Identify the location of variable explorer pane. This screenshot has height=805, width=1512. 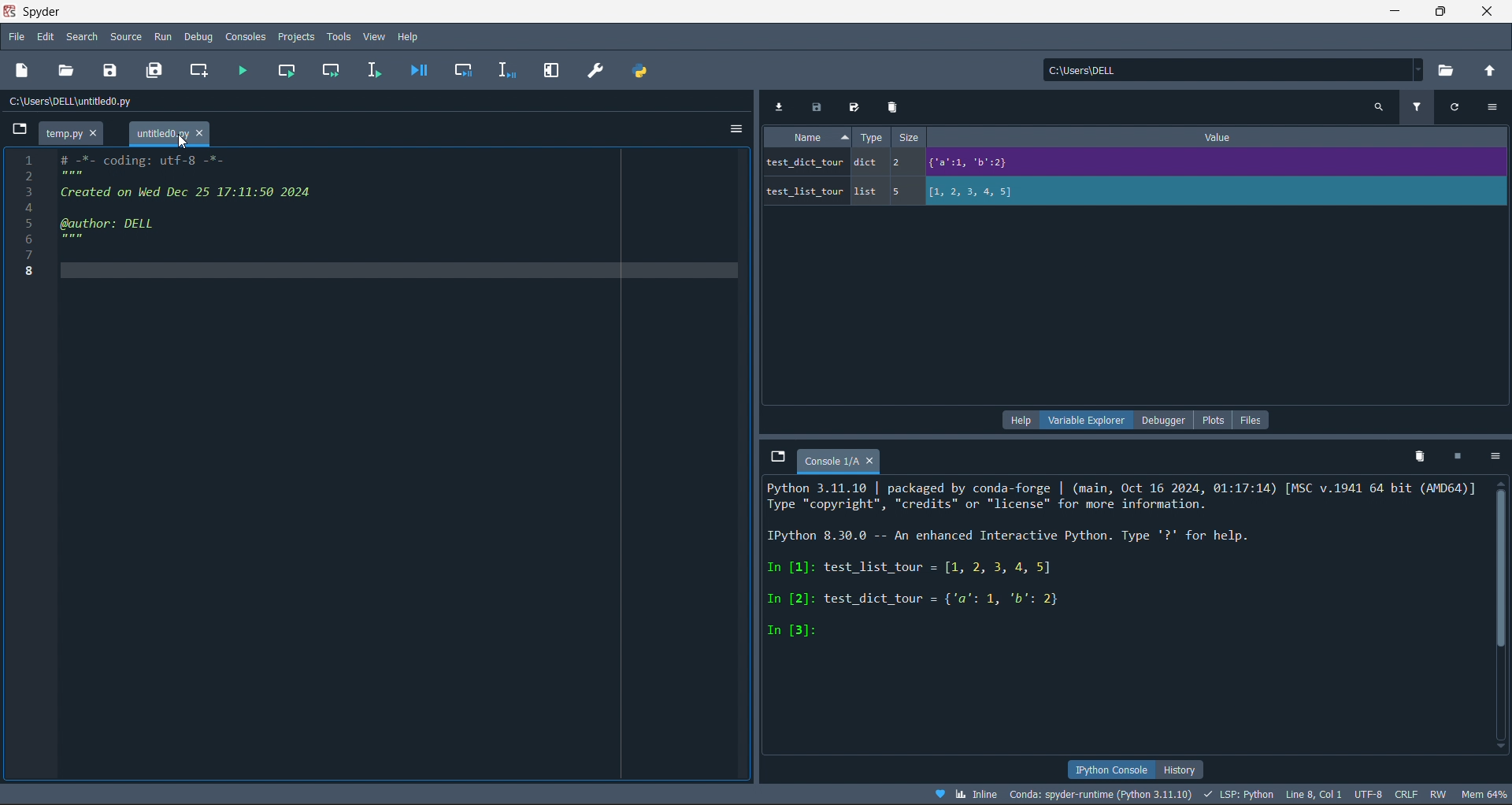
(1088, 422).